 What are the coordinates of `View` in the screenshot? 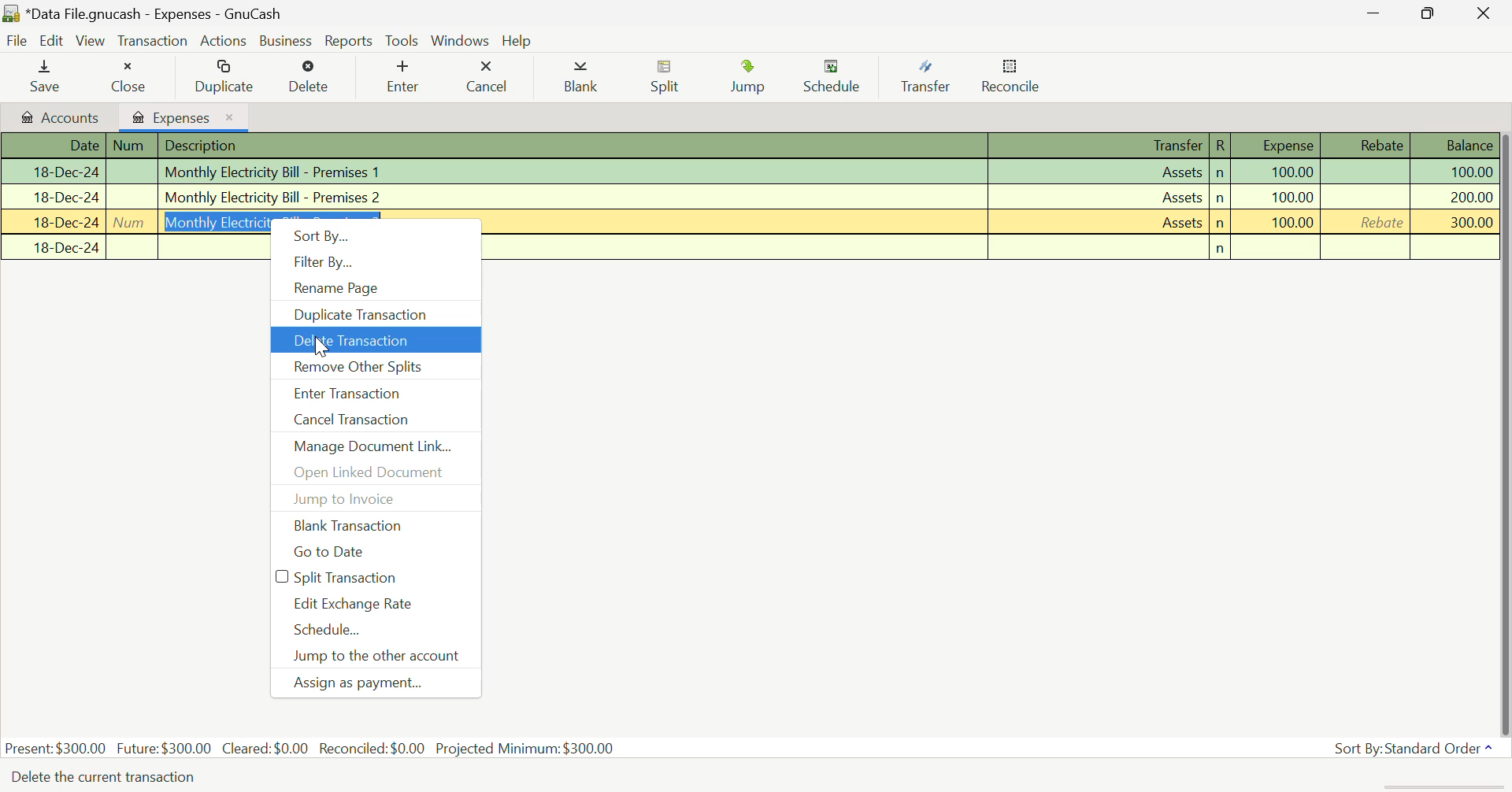 It's located at (91, 41).